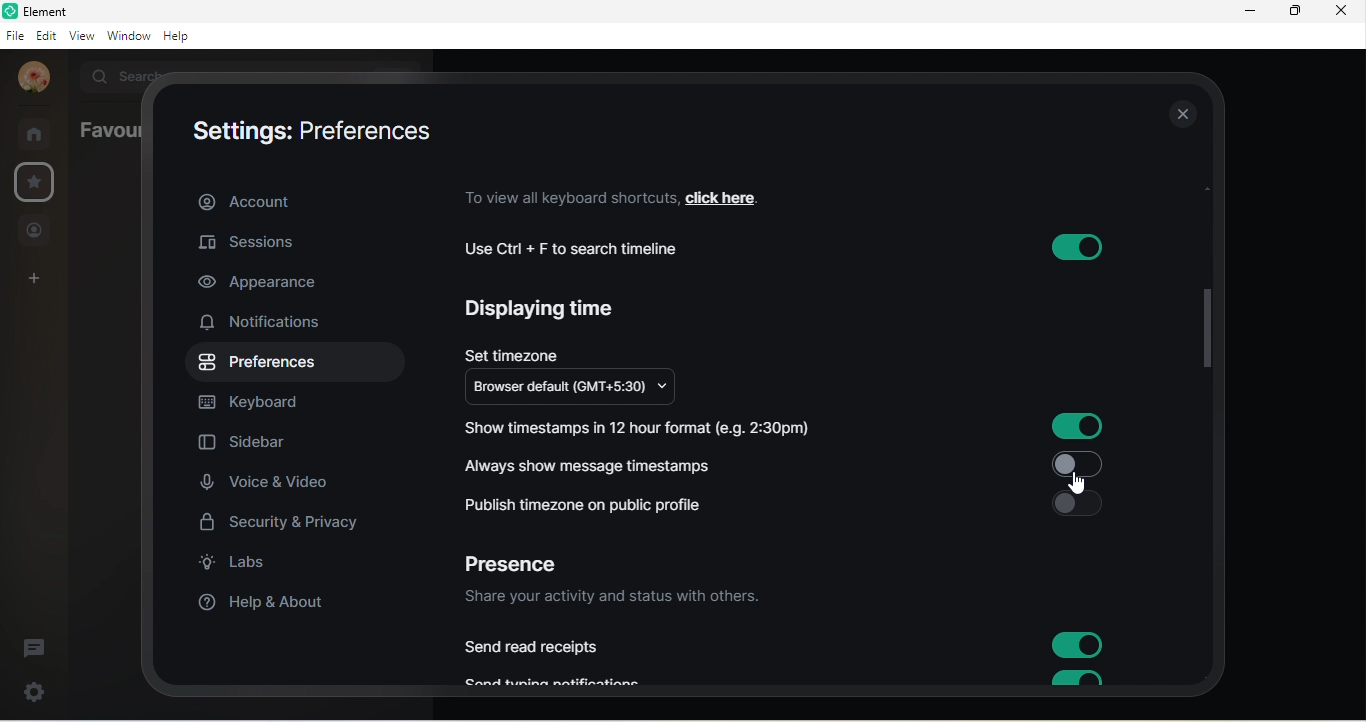 This screenshot has height=722, width=1366. I want to click on help and about, so click(263, 605).